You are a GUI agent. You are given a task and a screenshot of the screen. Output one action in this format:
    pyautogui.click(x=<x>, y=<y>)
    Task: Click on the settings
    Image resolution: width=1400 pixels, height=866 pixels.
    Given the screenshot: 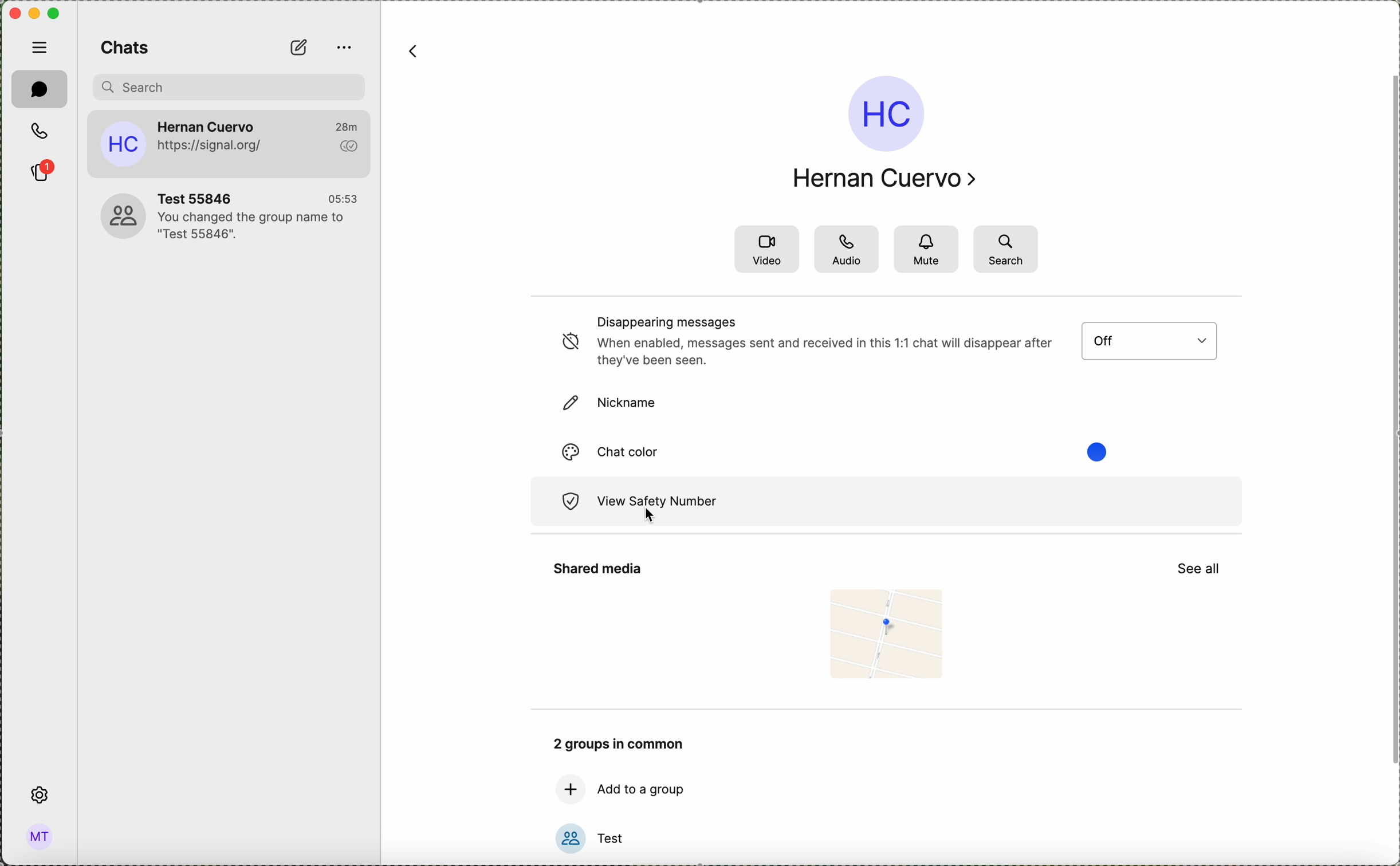 What is the action you would take?
    pyautogui.click(x=38, y=795)
    